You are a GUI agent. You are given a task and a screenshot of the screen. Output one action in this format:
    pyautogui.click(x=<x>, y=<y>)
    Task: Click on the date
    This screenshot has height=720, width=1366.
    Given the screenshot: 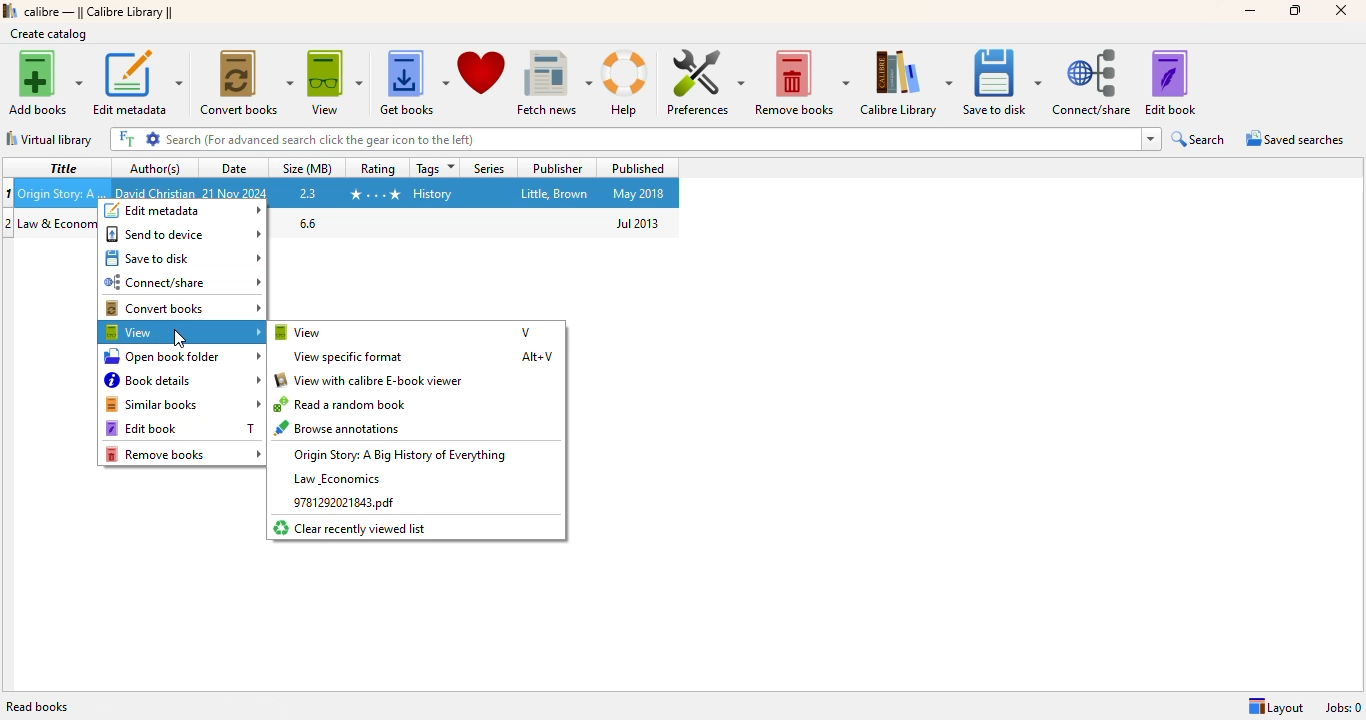 What is the action you would take?
    pyautogui.click(x=236, y=193)
    